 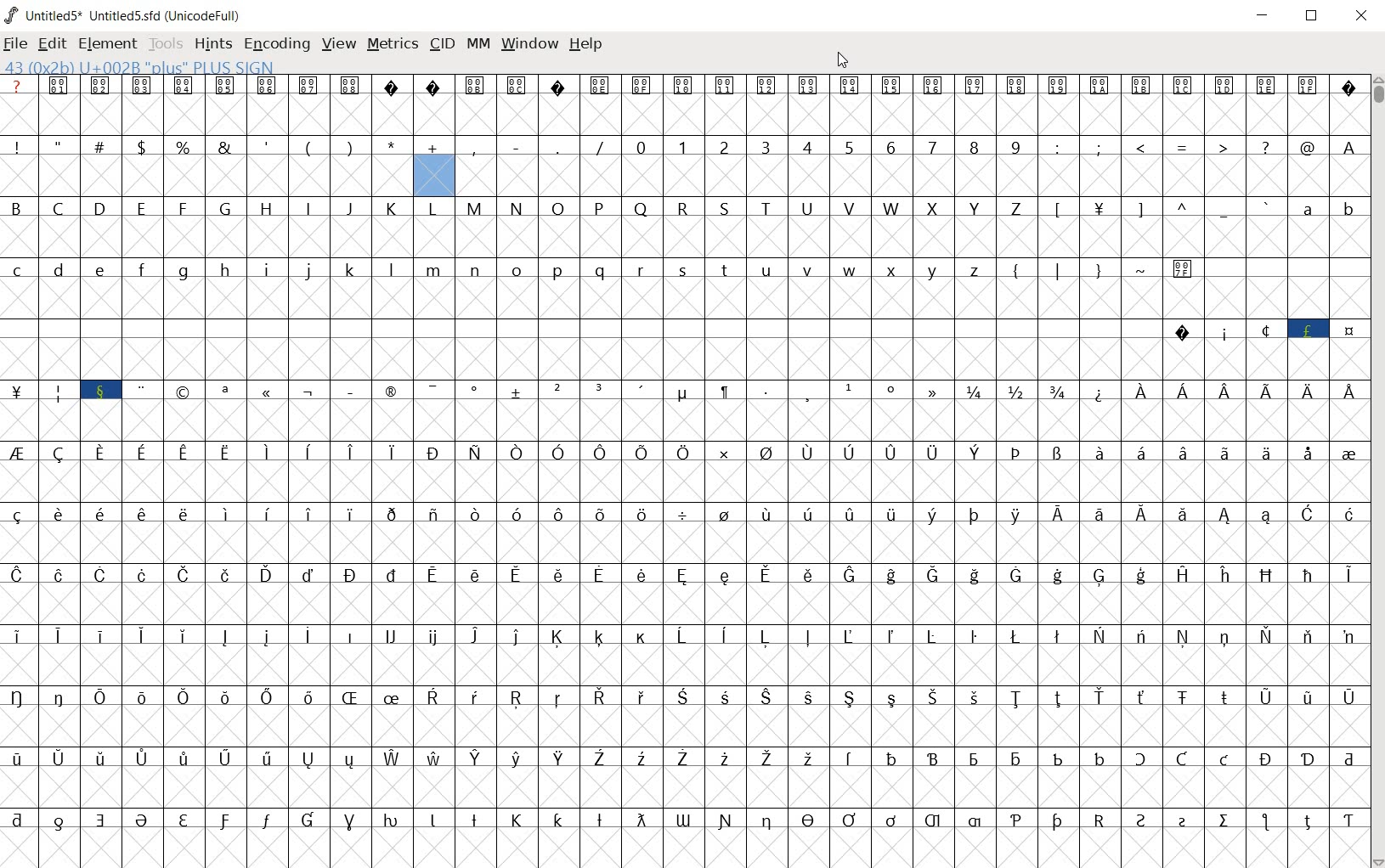 What do you see at coordinates (829, 167) in the screenshot?
I see `number` at bounding box center [829, 167].